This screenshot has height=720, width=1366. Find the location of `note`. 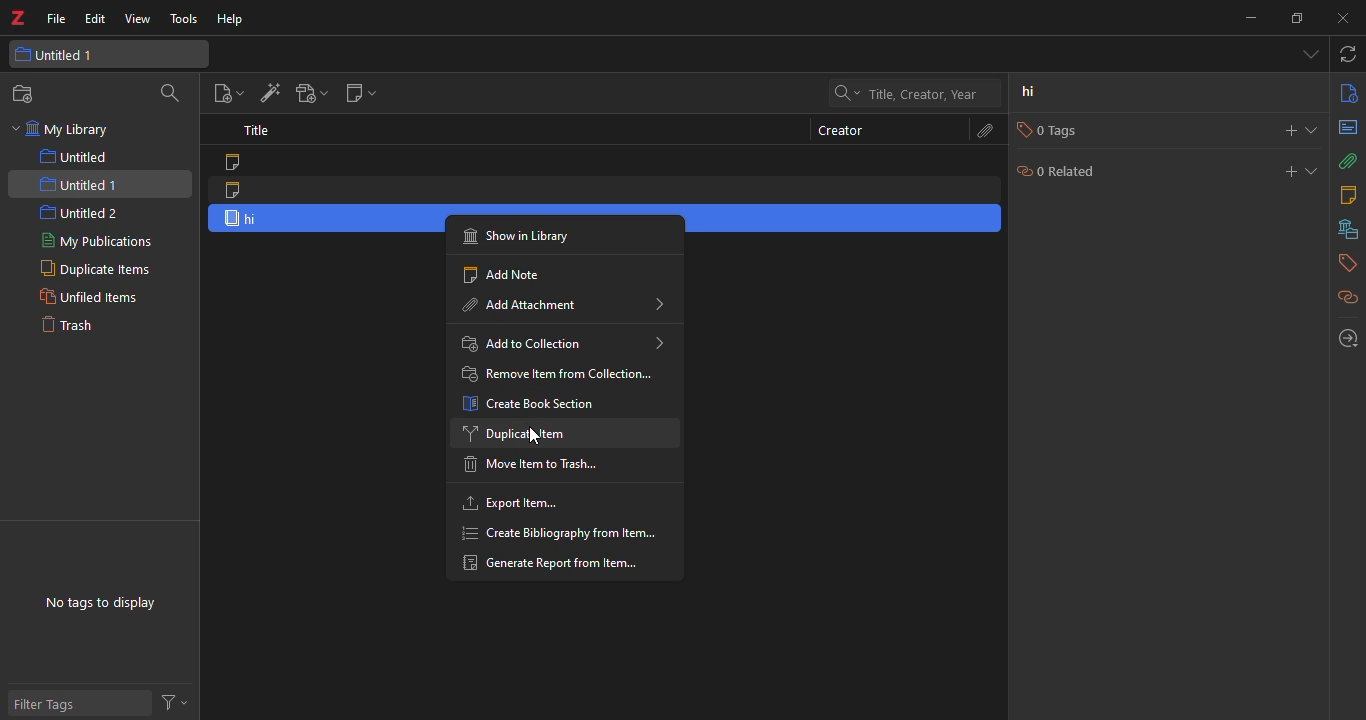

note is located at coordinates (238, 161).